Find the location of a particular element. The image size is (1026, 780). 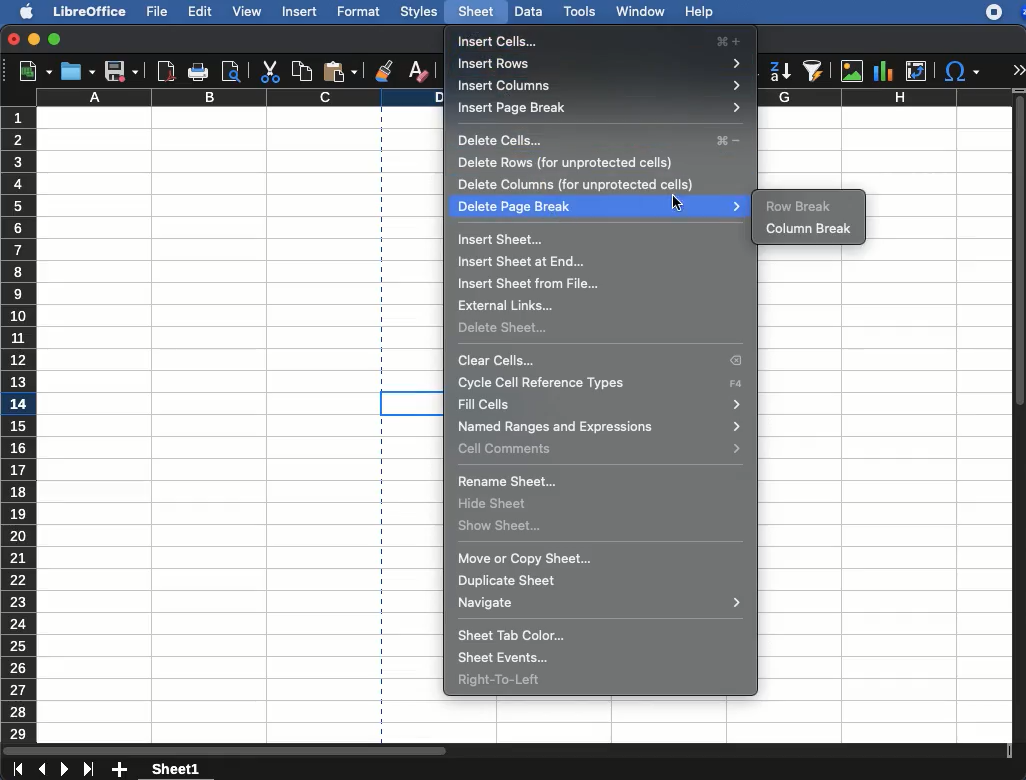

show sheet is located at coordinates (501, 526).